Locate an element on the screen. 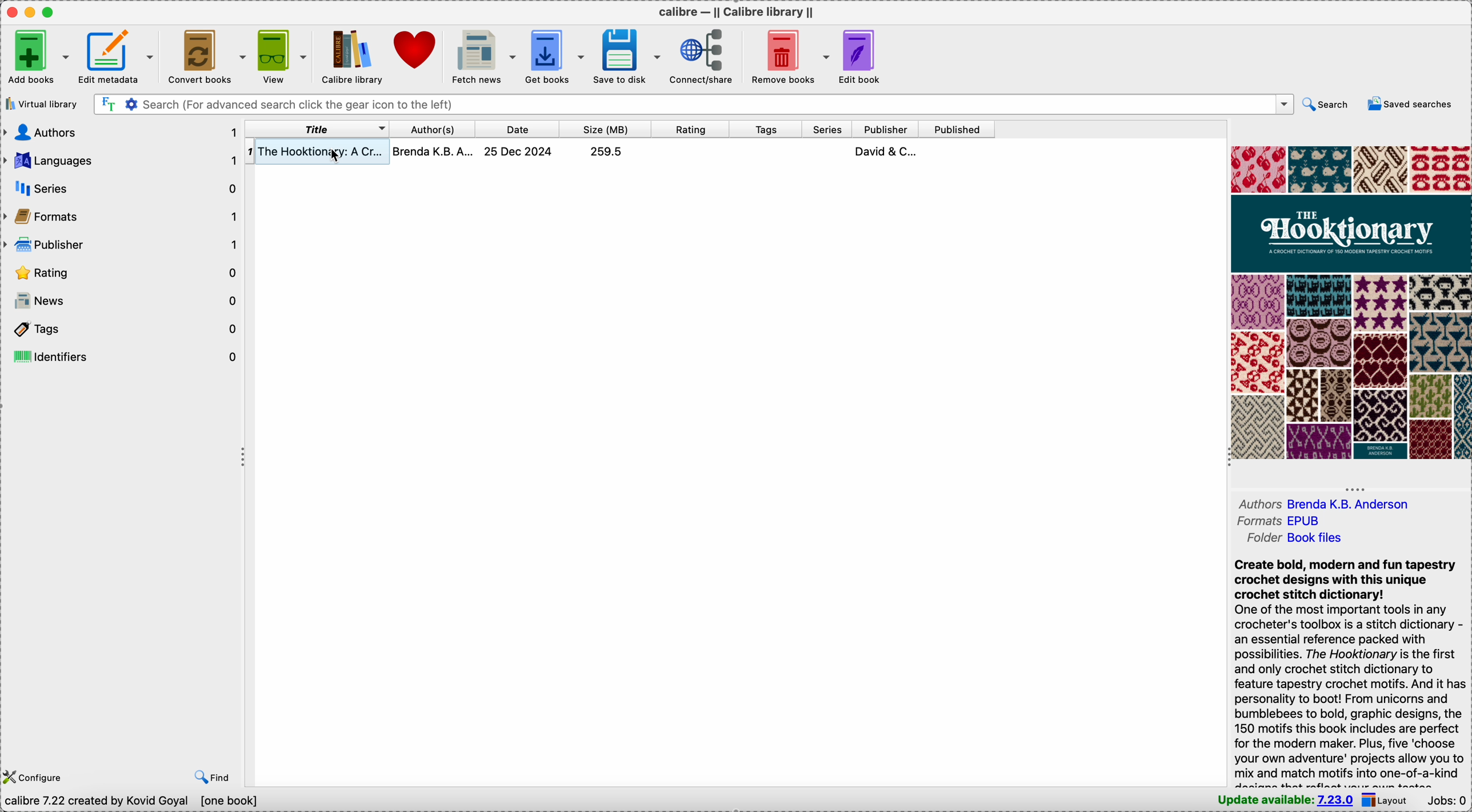 The width and height of the screenshot is (1472, 812). tags is located at coordinates (766, 129).